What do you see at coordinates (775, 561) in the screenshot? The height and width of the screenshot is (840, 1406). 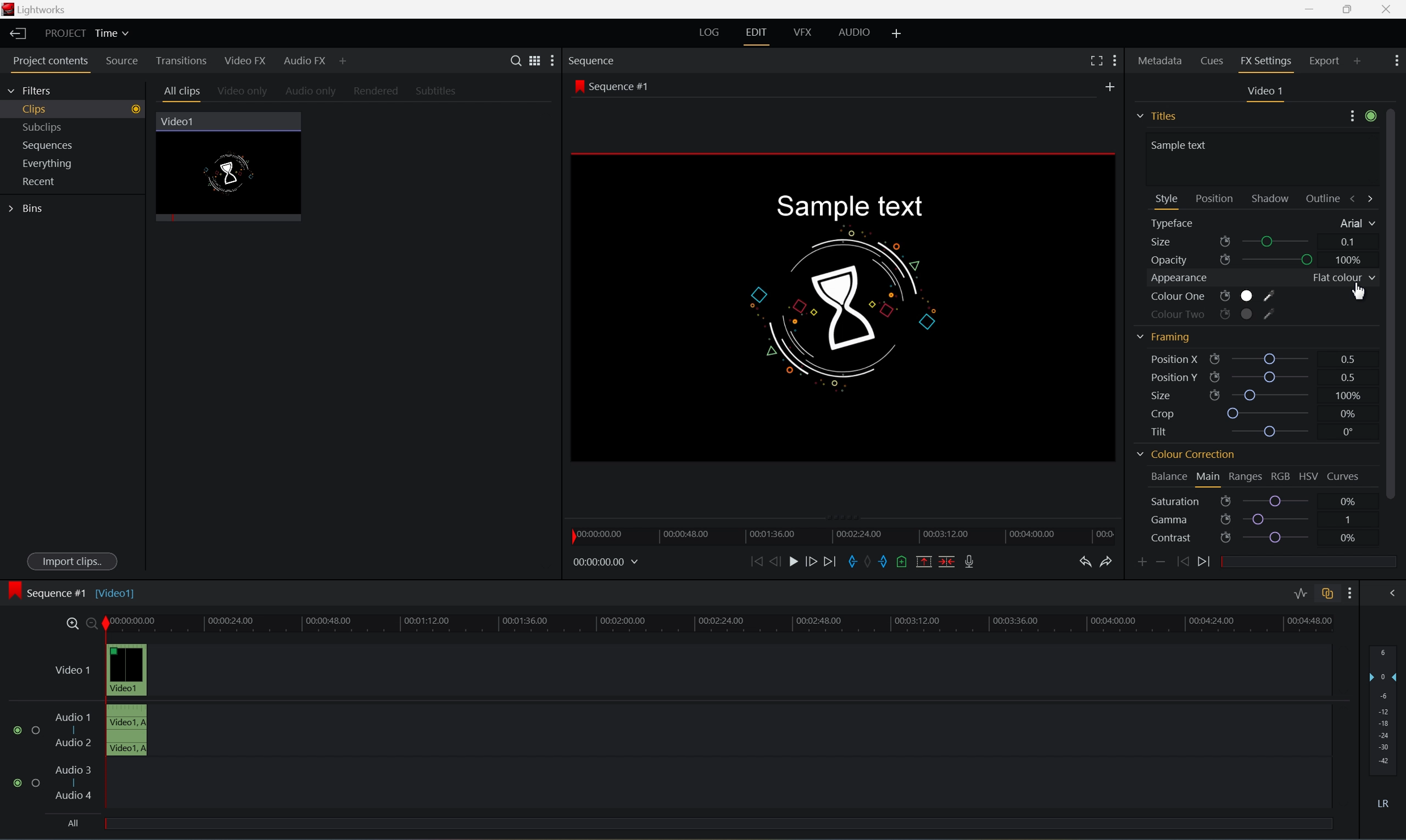 I see `move one frame back` at bounding box center [775, 561].